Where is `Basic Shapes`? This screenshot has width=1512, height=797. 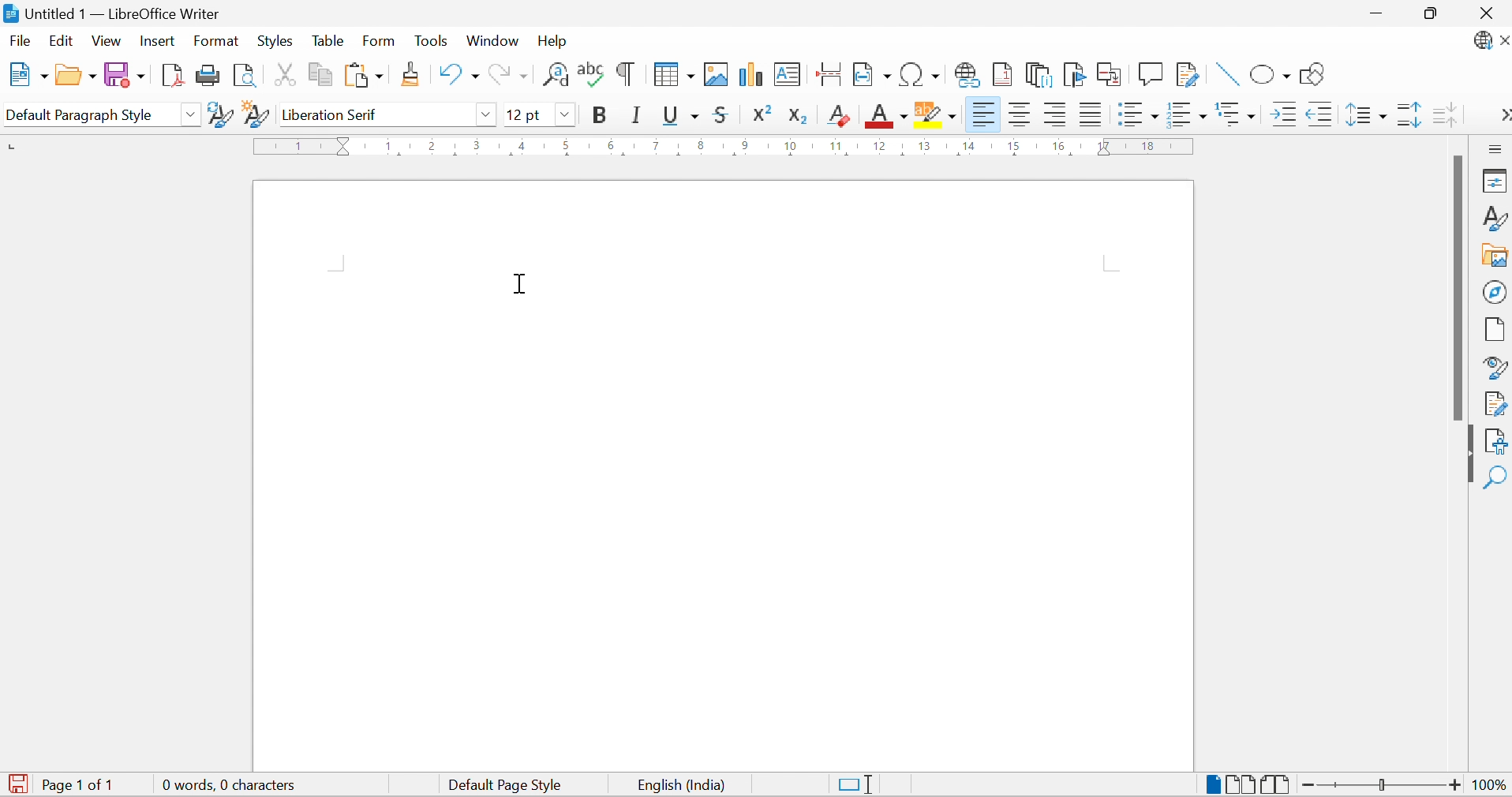 Basic Shapes is located at coordinates (1271, 76).